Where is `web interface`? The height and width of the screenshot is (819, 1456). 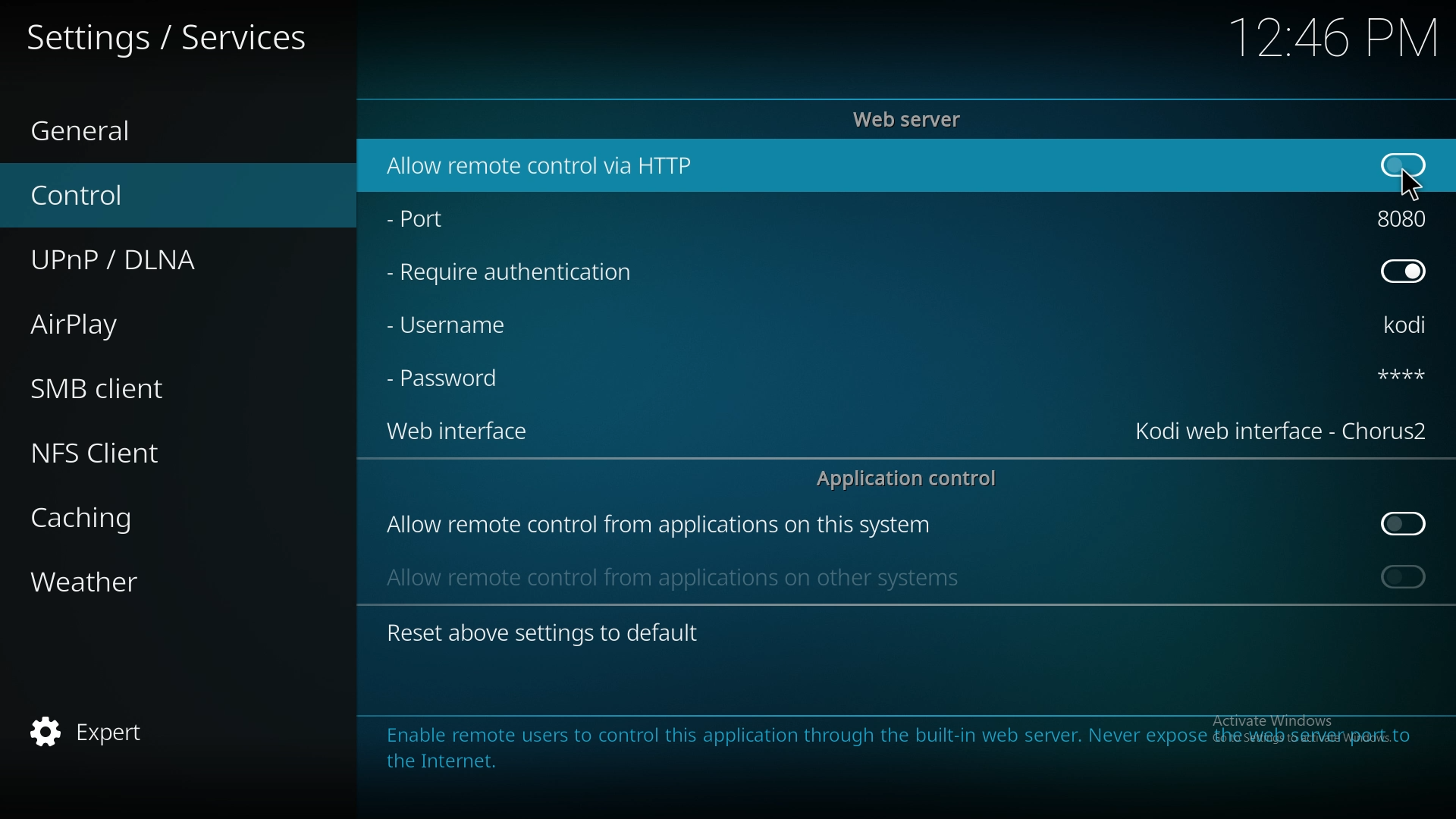
web interface is located at coordinates (1282, 428).